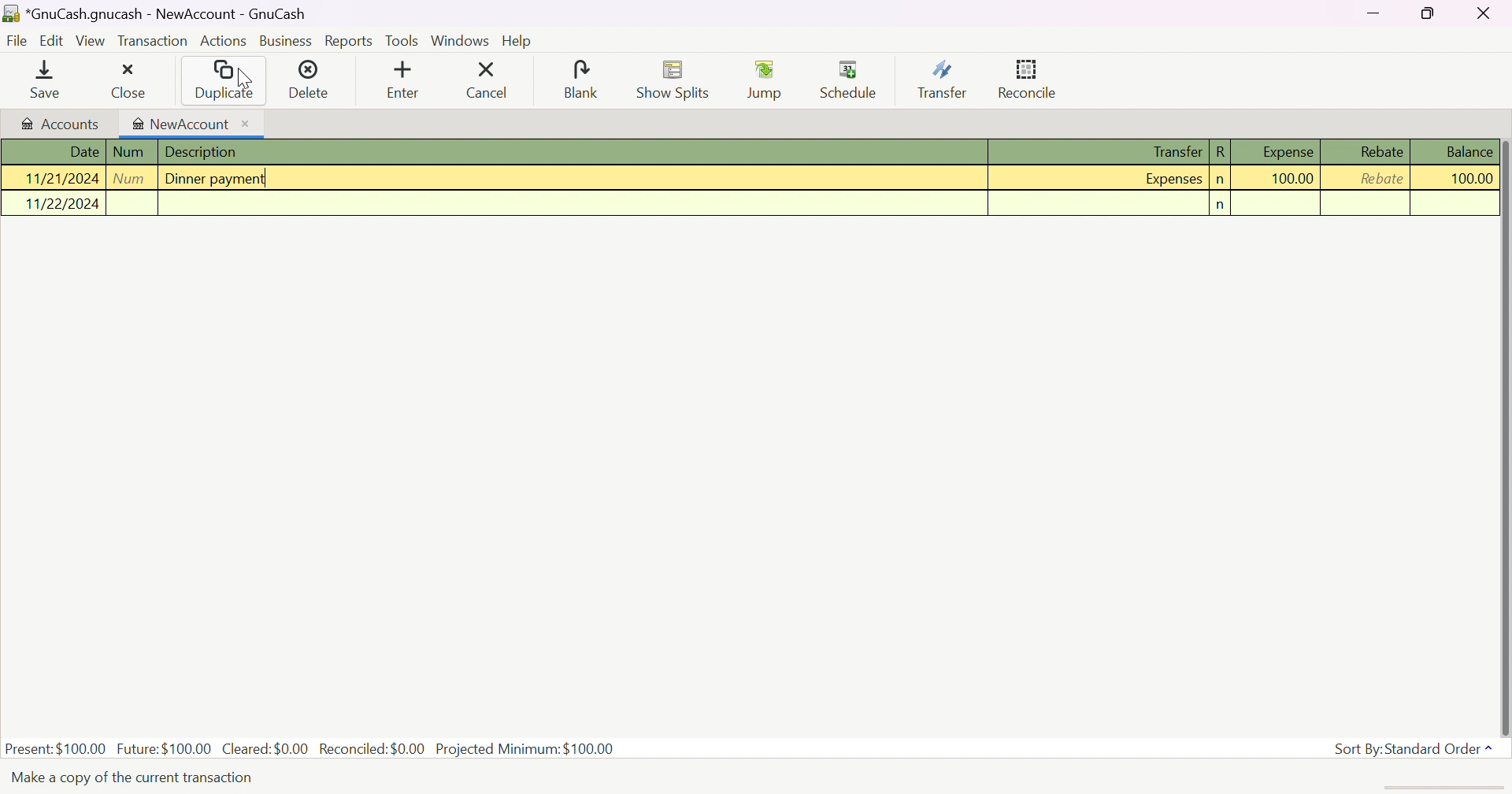 This screenshot has height=794, width=1512. What do you see at coordinates (267, 748) in the screenshot?
I see `Cleared: $0.00` at bounding box center [267, 748].